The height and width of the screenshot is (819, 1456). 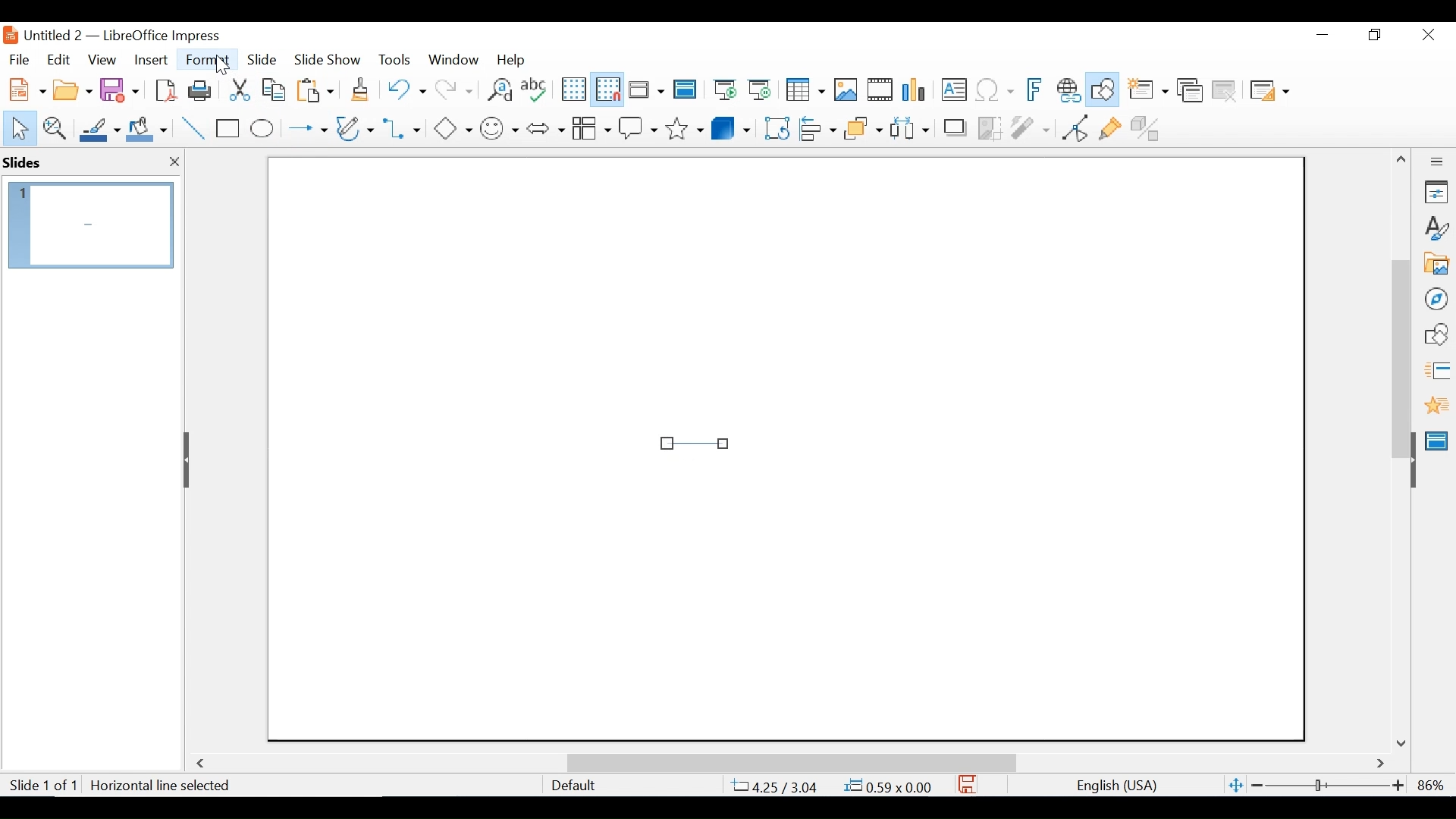 I want to click on Styles, so click(x=1437, y=229).